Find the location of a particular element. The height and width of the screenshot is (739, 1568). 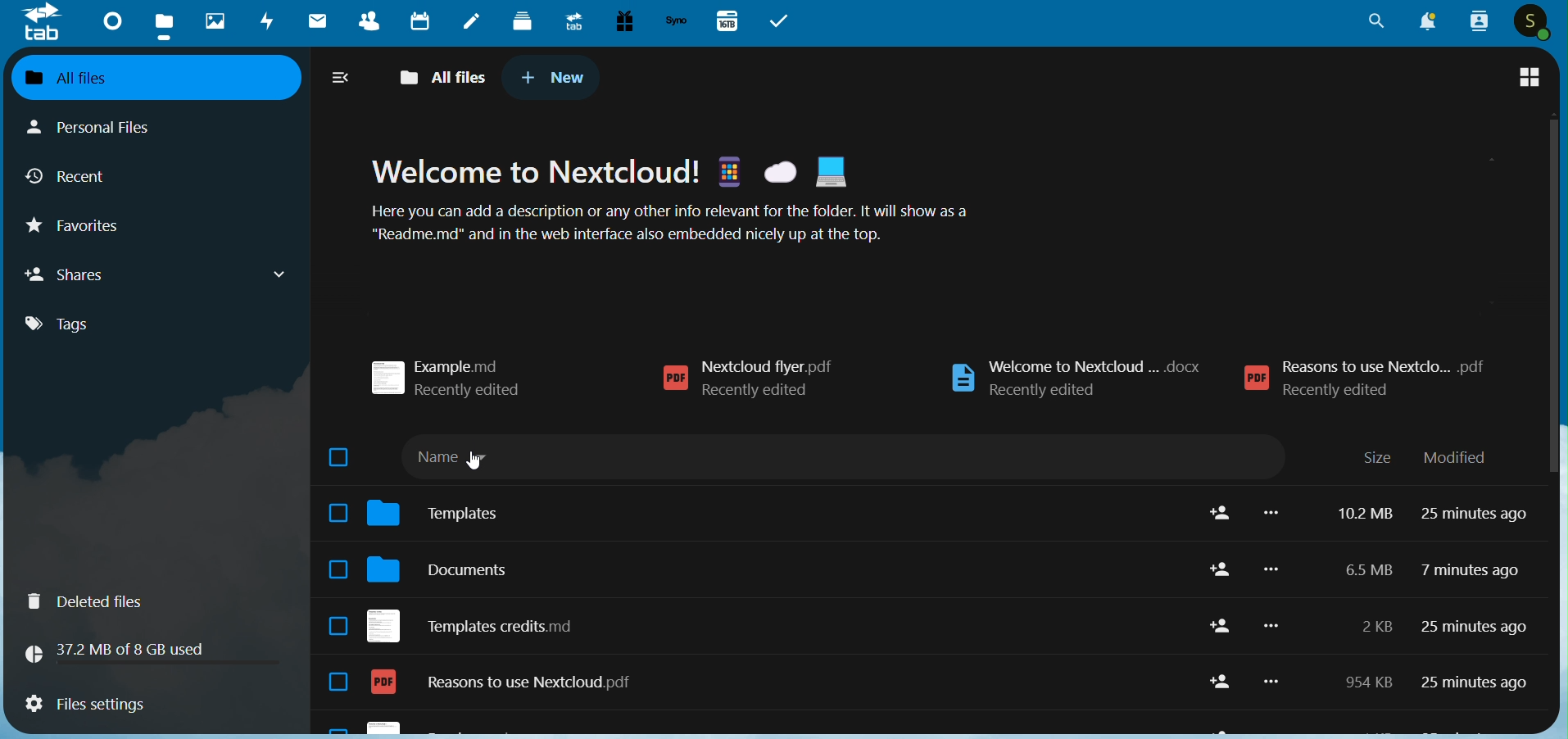

37.2 B of 8 GB used is located at coordinates (148, 649).